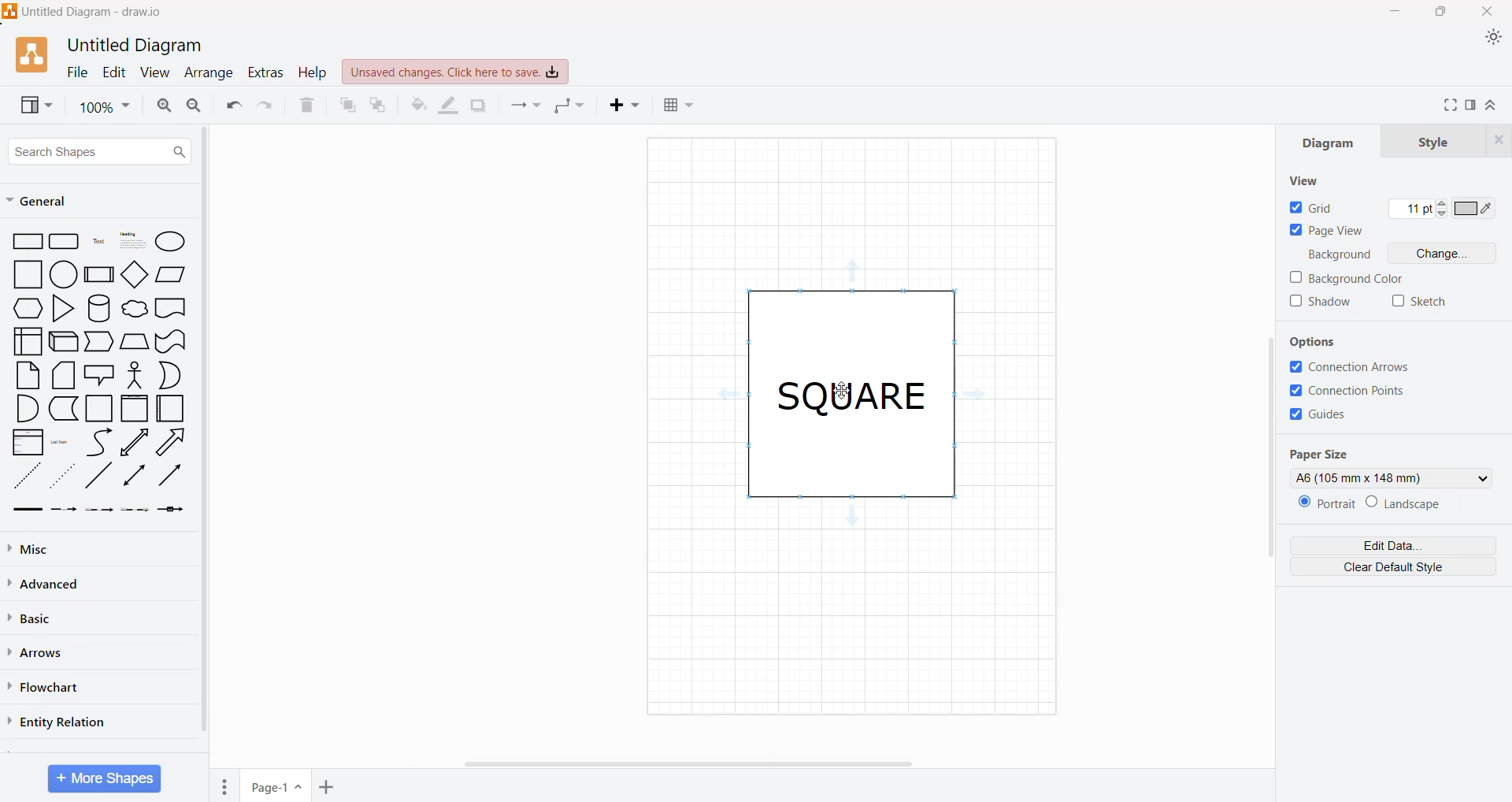  I want to click on View, so click(39, 106).